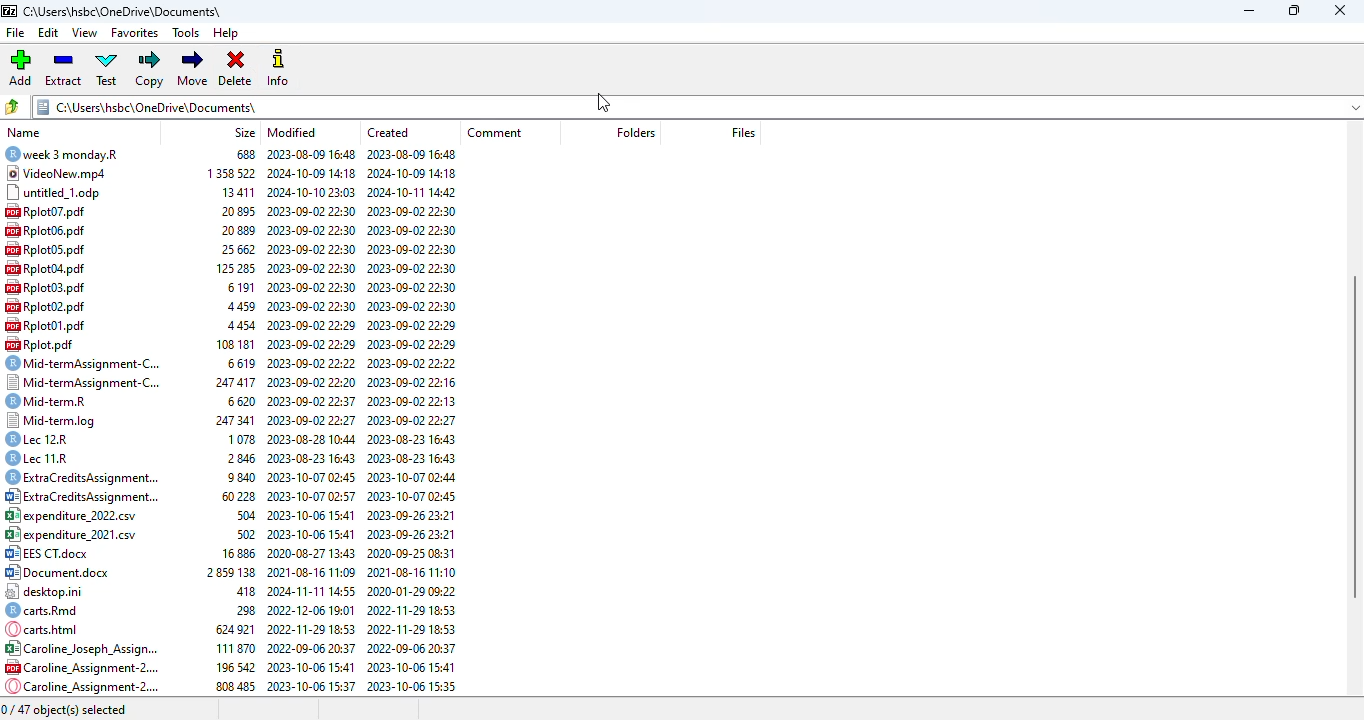 The image size is (1364, 720). I want to click on Rplot05.pdf, so click(52, 249).